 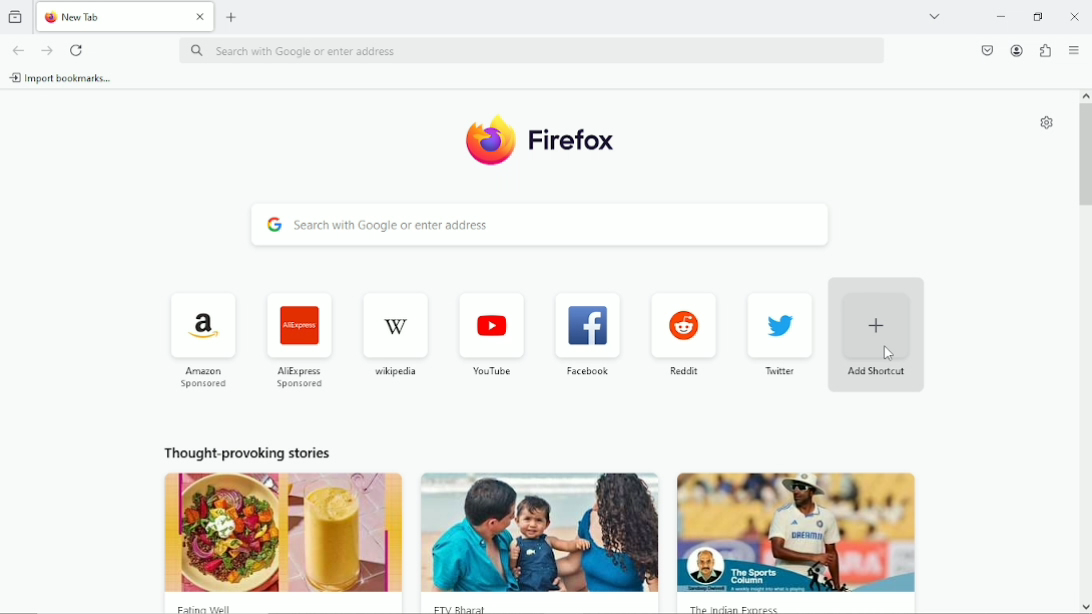 I want to click on reddit, so click(x=682, y=334).